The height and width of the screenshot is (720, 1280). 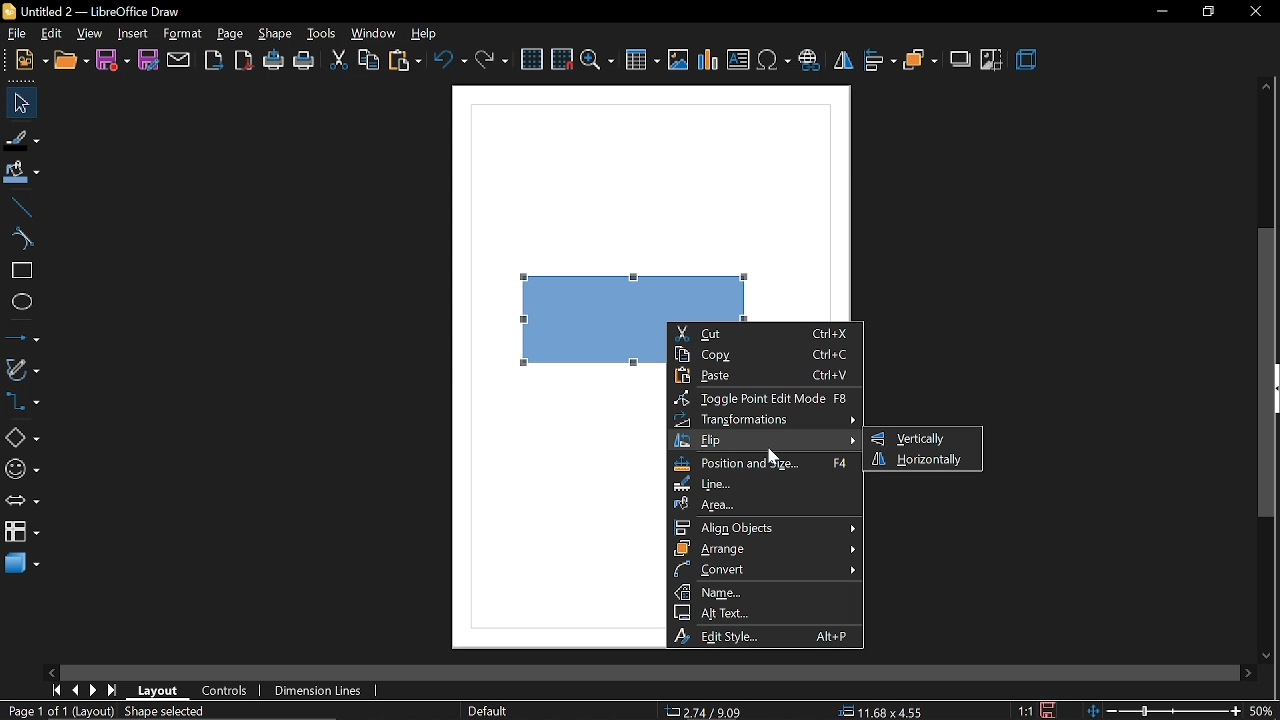 What do you see at coordinates (370, 61) in the screenshot?
I see `copy` at bounding box center [370, 61].